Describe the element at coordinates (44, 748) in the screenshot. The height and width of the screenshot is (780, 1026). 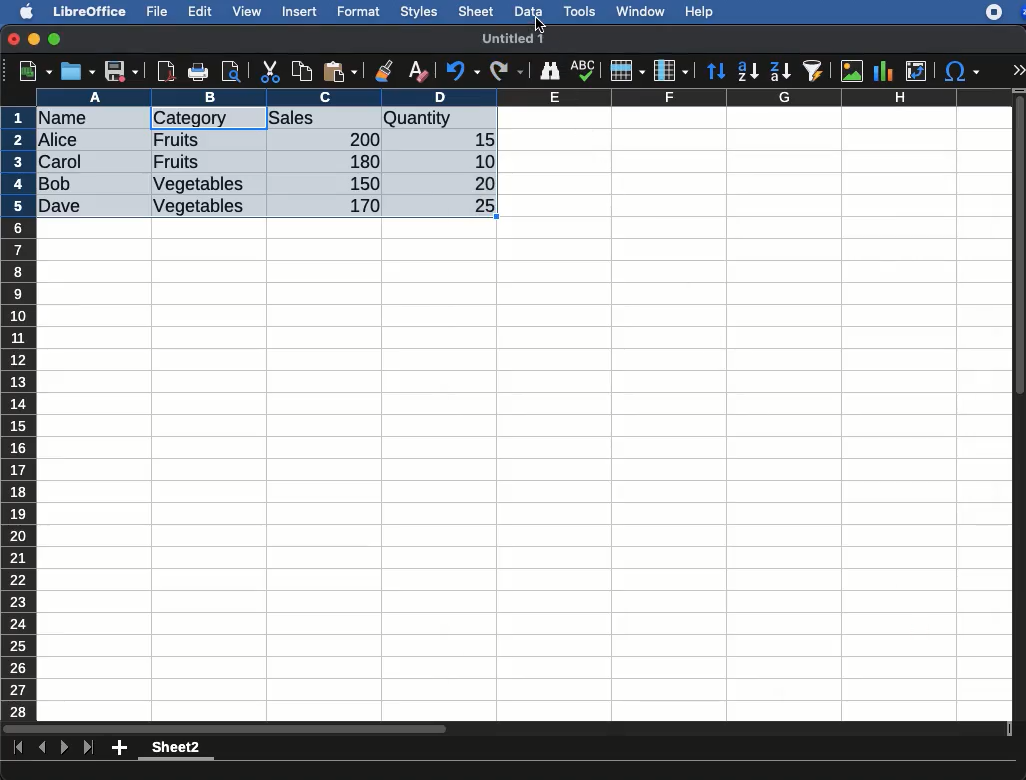
I see `previous sheet` at that location.